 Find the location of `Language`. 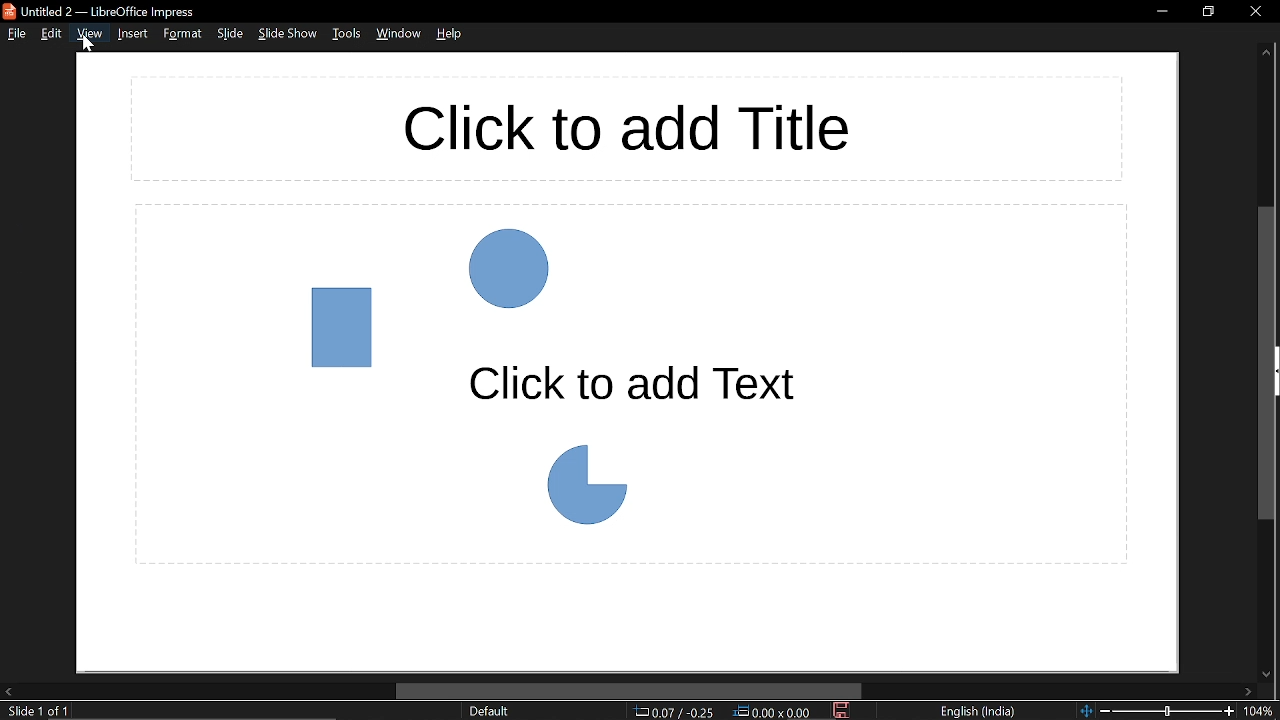

Language is located at coordinates (981, 710).